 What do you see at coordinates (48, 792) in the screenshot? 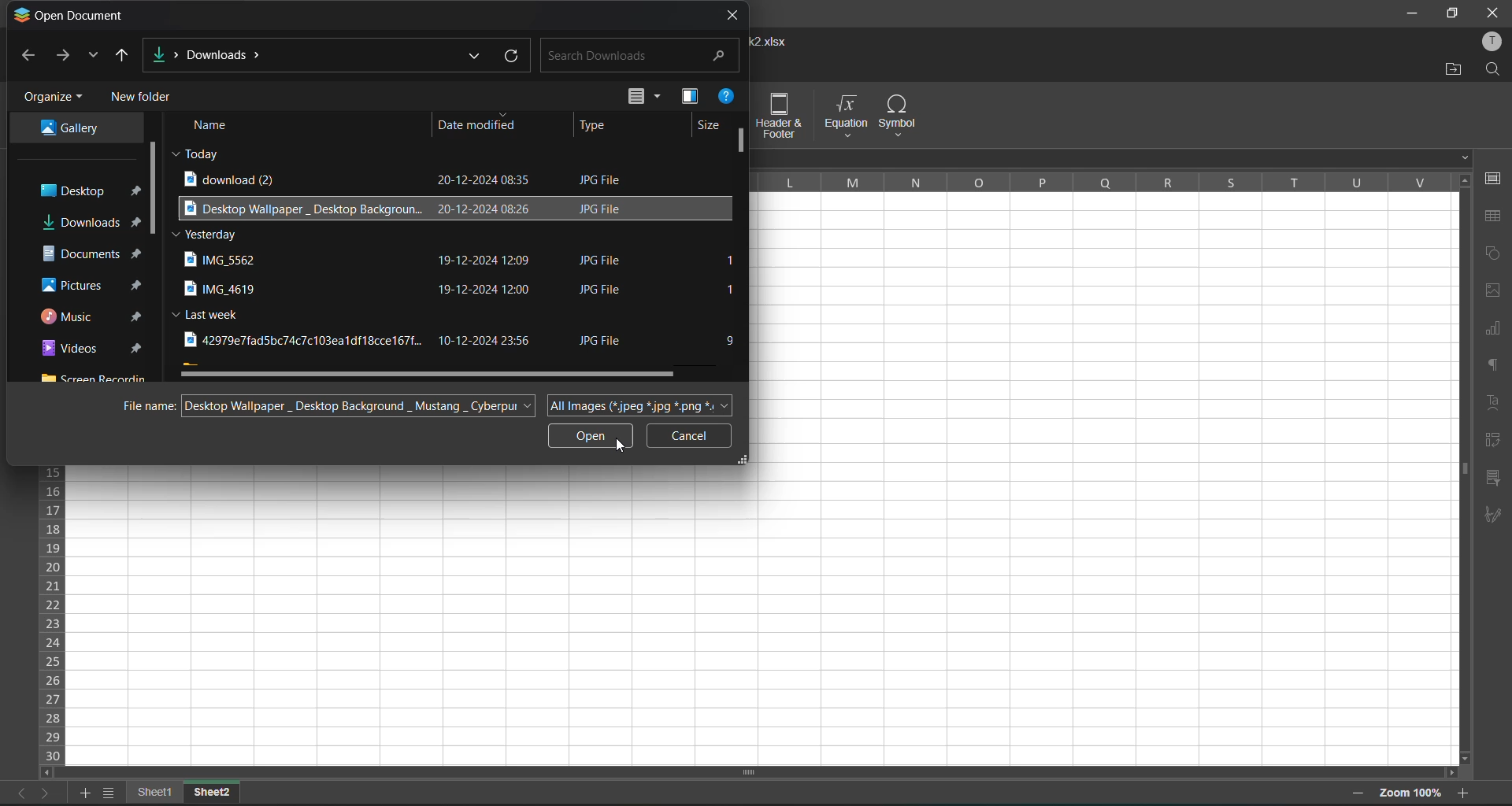
I see `next` at bounding box center [48, 792].